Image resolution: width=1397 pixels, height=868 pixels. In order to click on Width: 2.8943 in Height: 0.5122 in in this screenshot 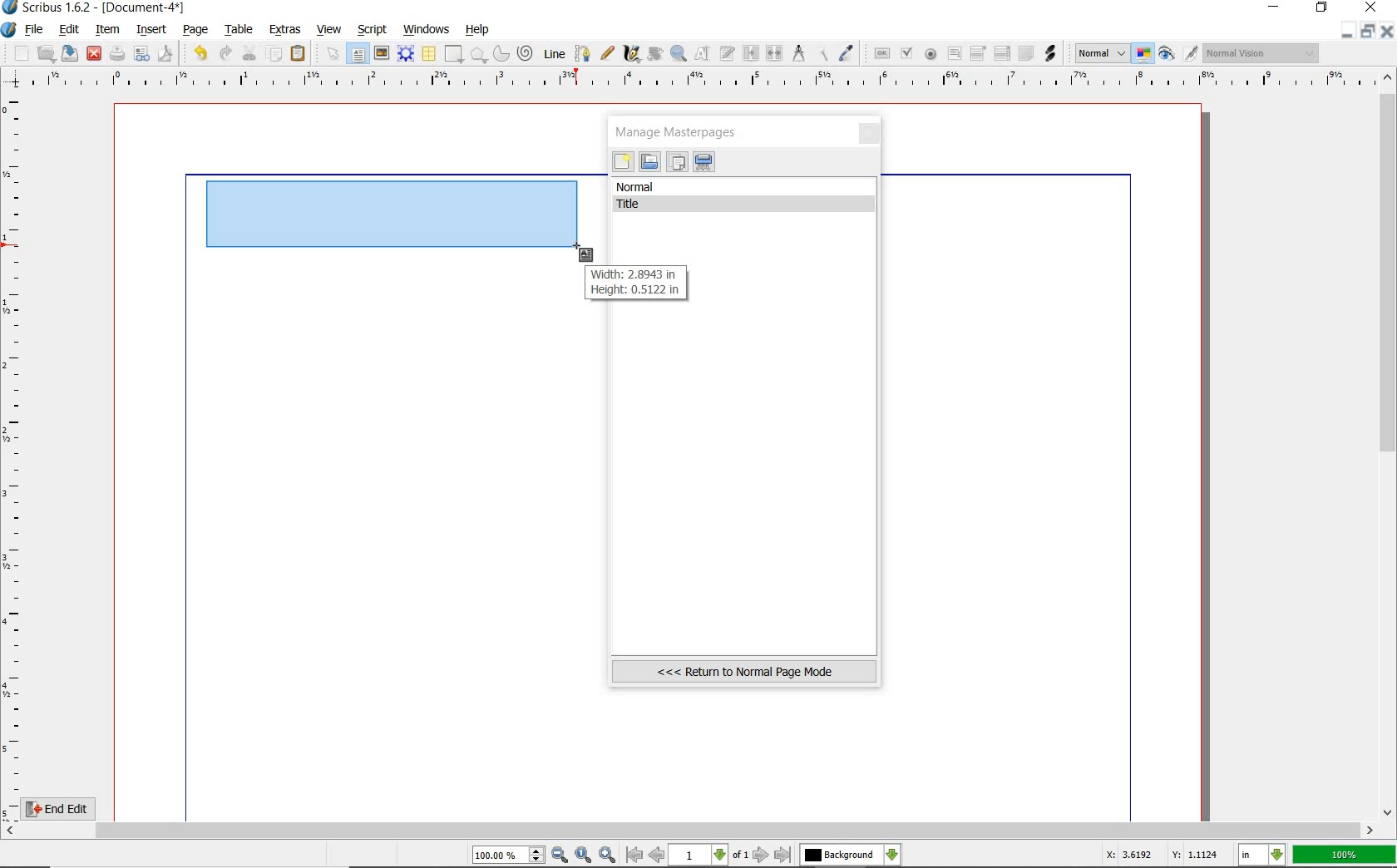, I will do `click(634, 284)`.